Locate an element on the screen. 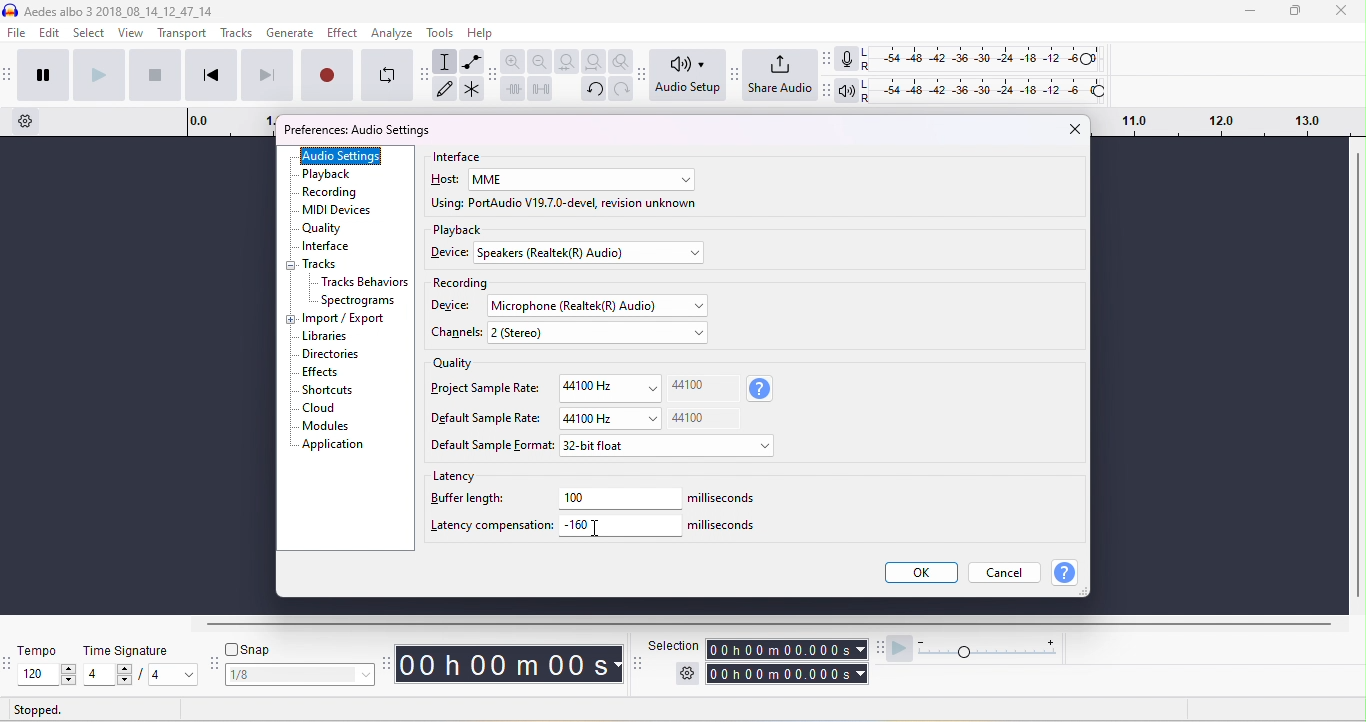 The width and height of the screenshot is (1366, 722). R is located at coordinates (867, 68).